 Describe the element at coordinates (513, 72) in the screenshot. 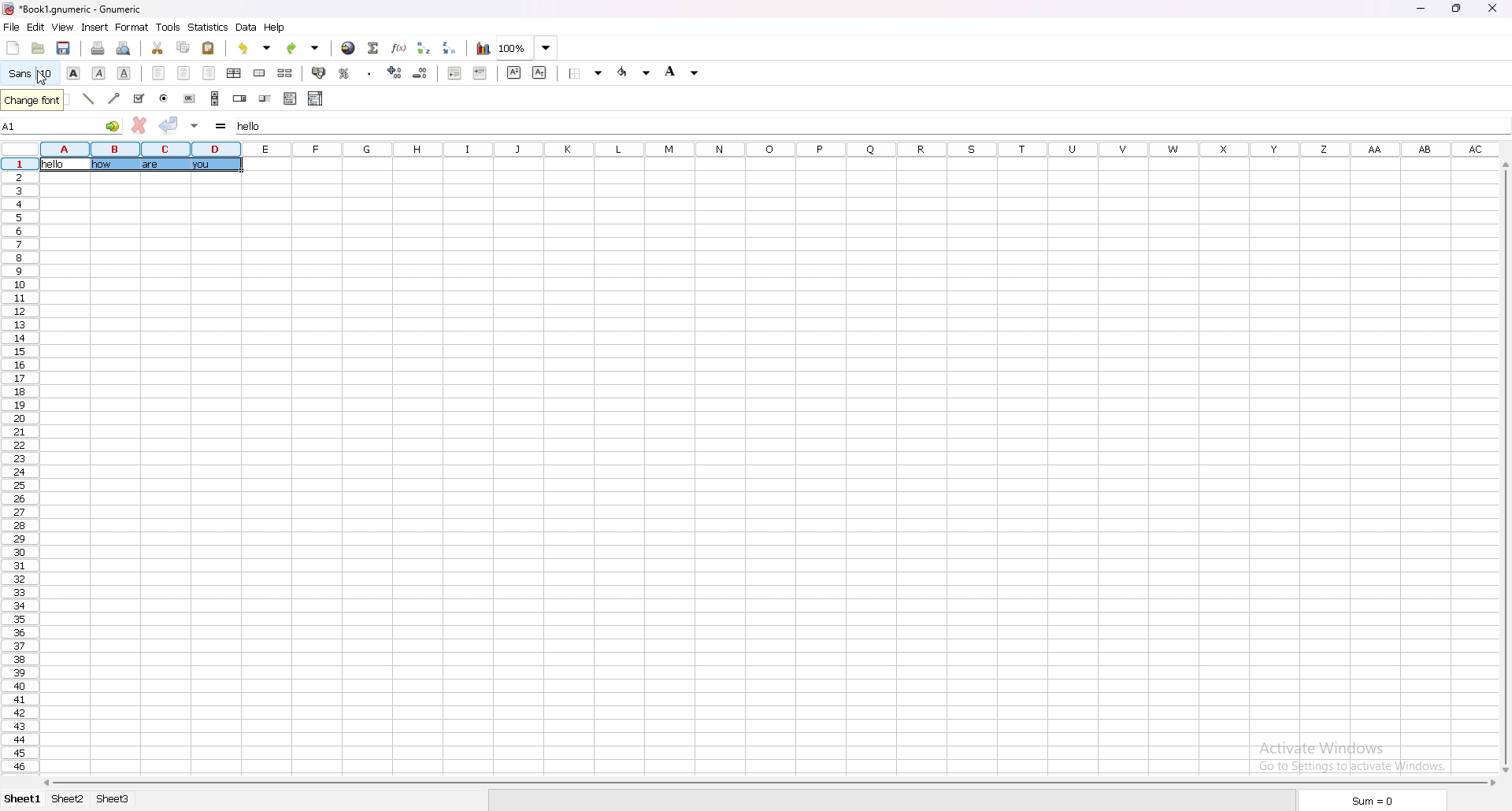

I see `superscript` at that location.